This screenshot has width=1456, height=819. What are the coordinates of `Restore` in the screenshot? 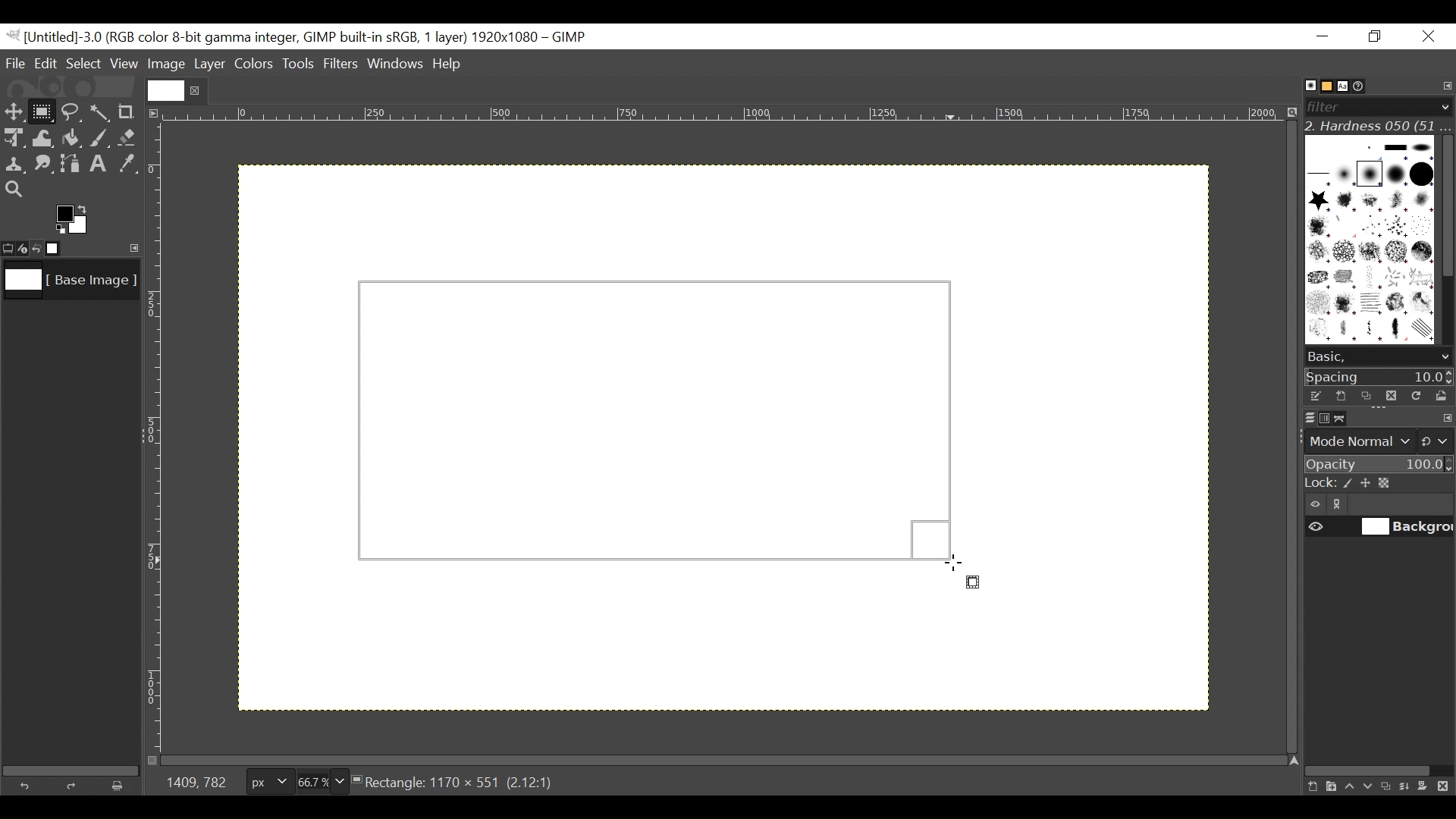 It's located at (1378, 37).